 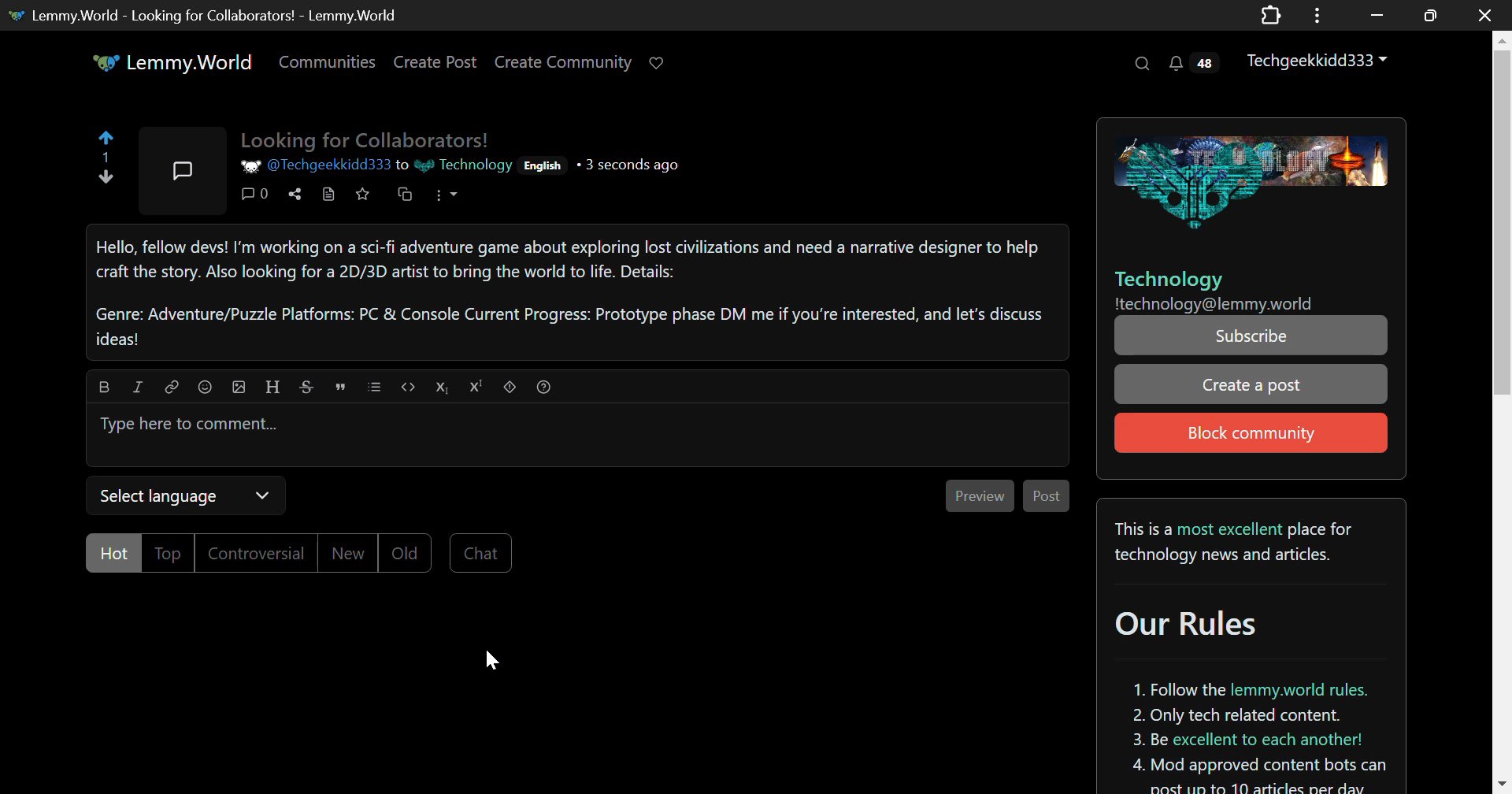 What do you see at coordinates (106, 163) in the screenshot?
I see `1 Upvote` at bounding box center [106, 163].